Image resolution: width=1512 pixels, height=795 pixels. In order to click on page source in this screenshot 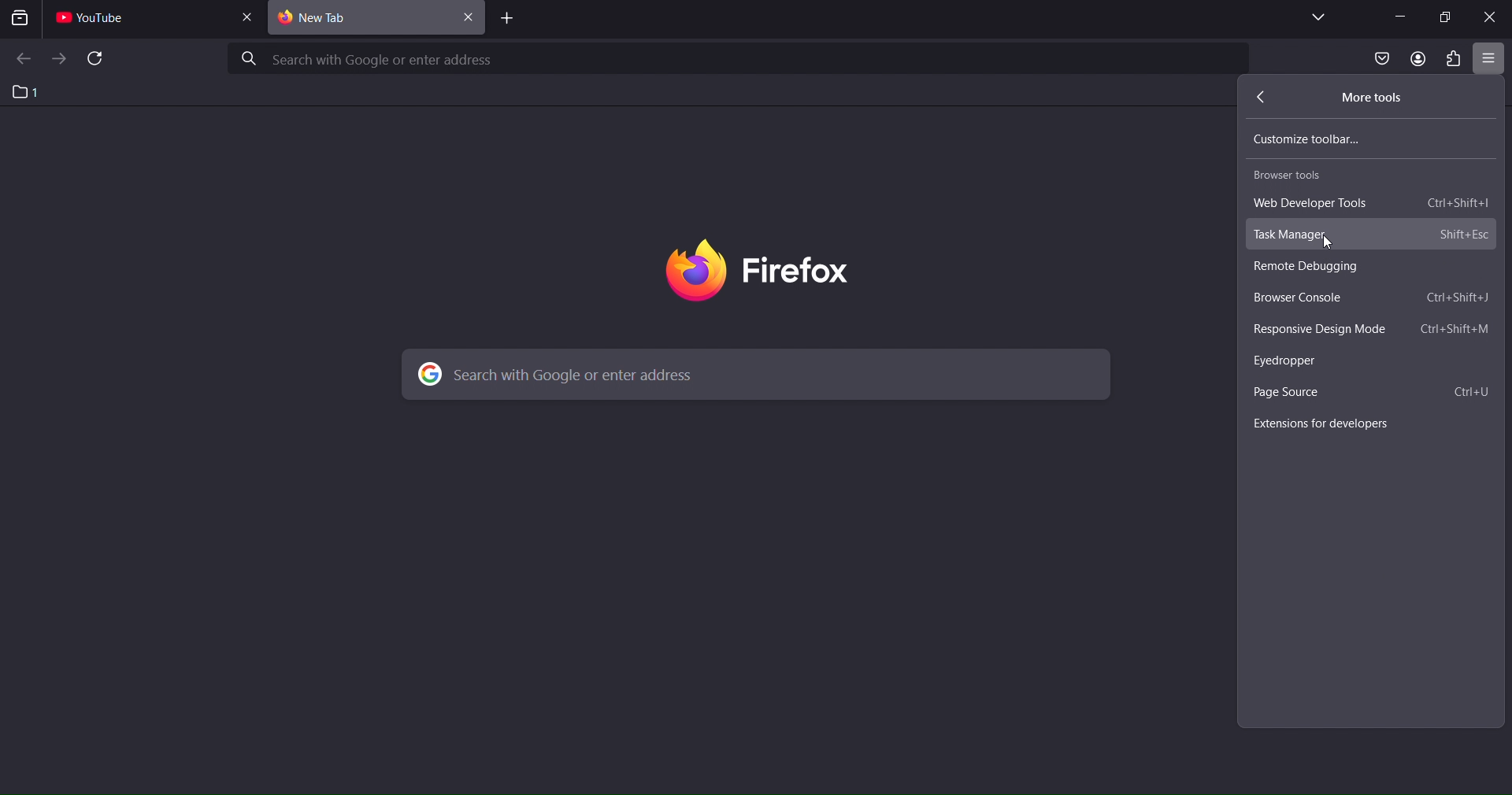, I will do `click(1288, 393)`.